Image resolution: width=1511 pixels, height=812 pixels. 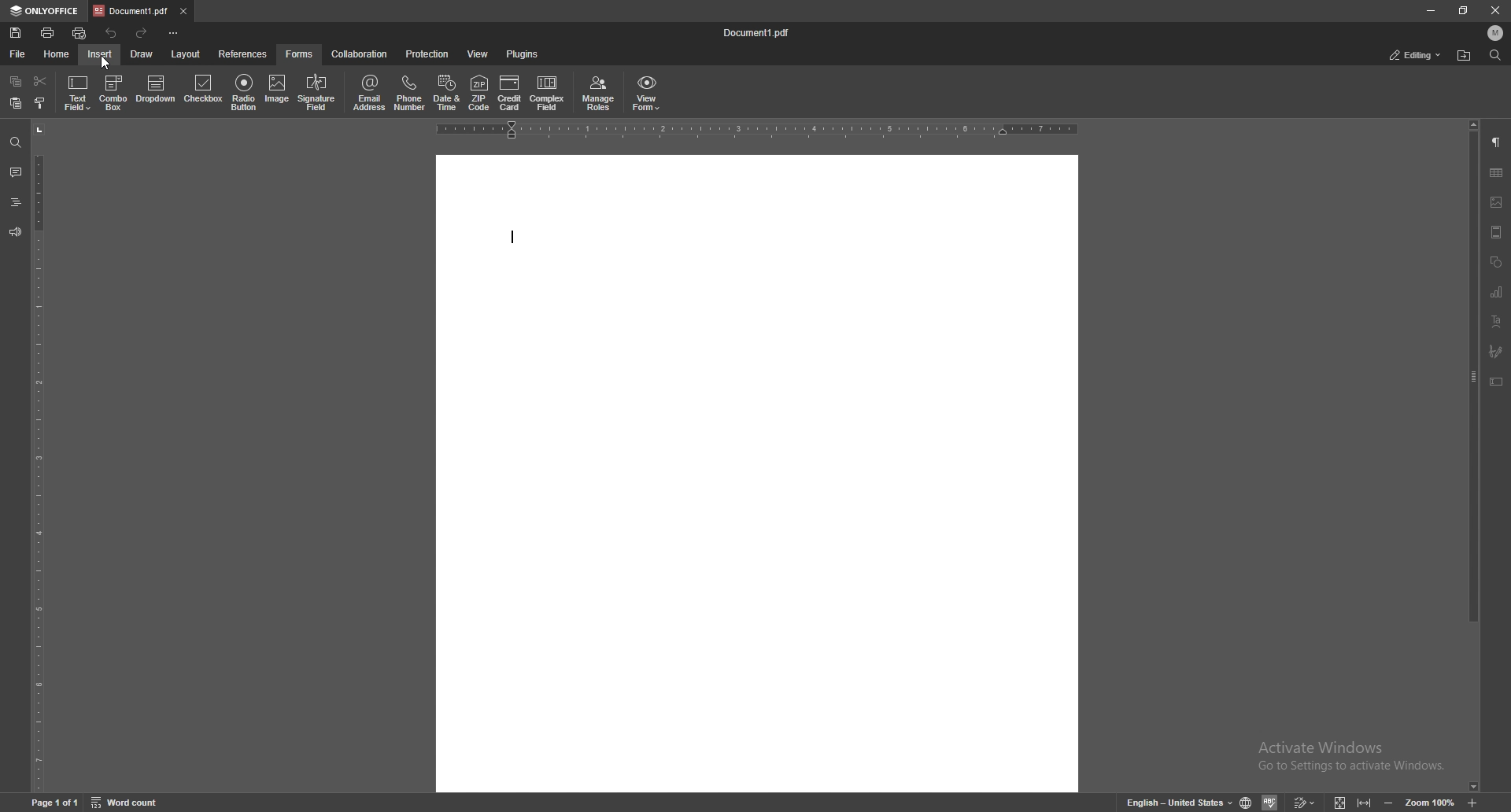 I want to click on layout, so click(x=187, y=55).